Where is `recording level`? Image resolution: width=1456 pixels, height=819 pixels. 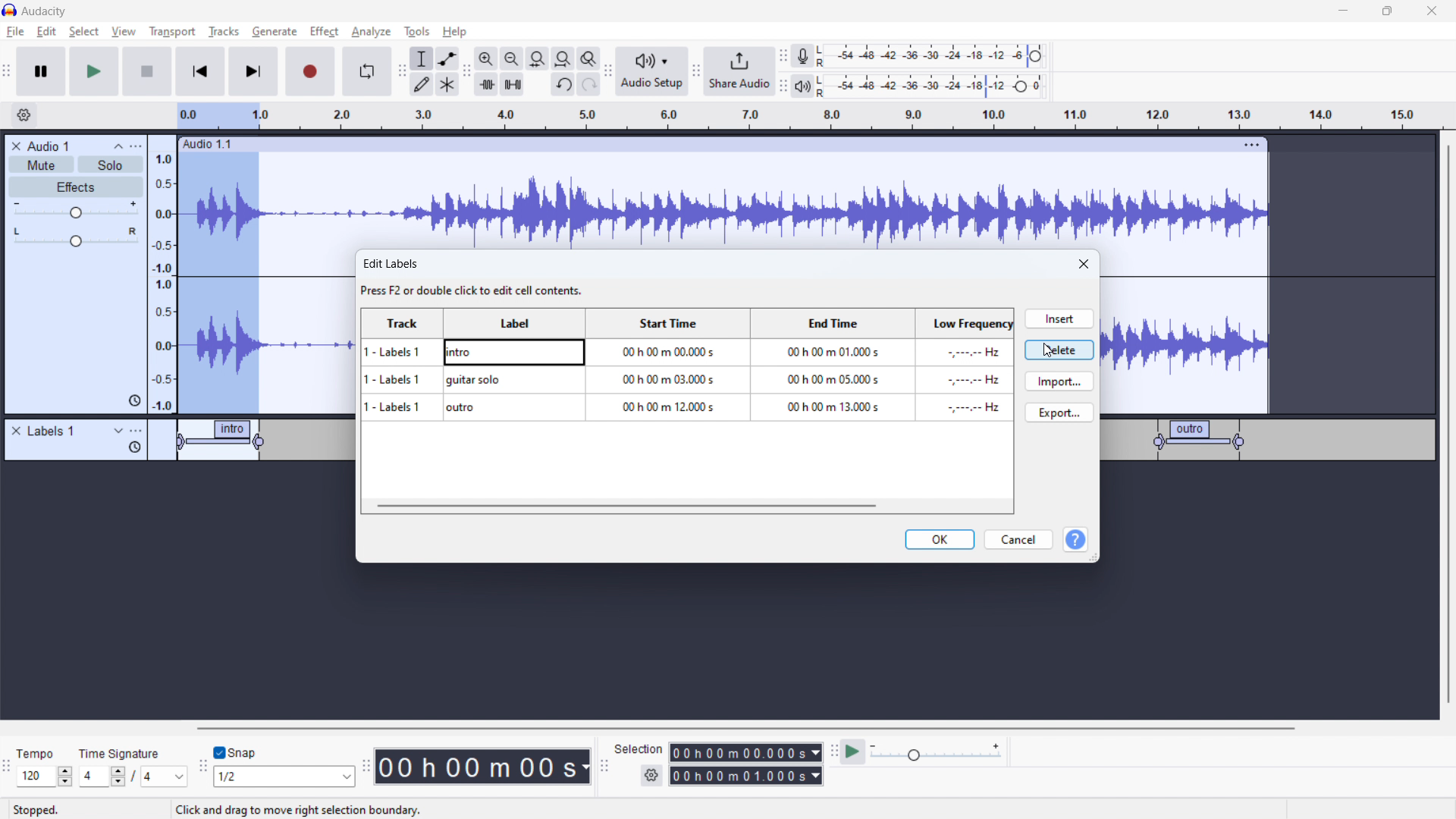
recording level is located at coordinates (940, 56).